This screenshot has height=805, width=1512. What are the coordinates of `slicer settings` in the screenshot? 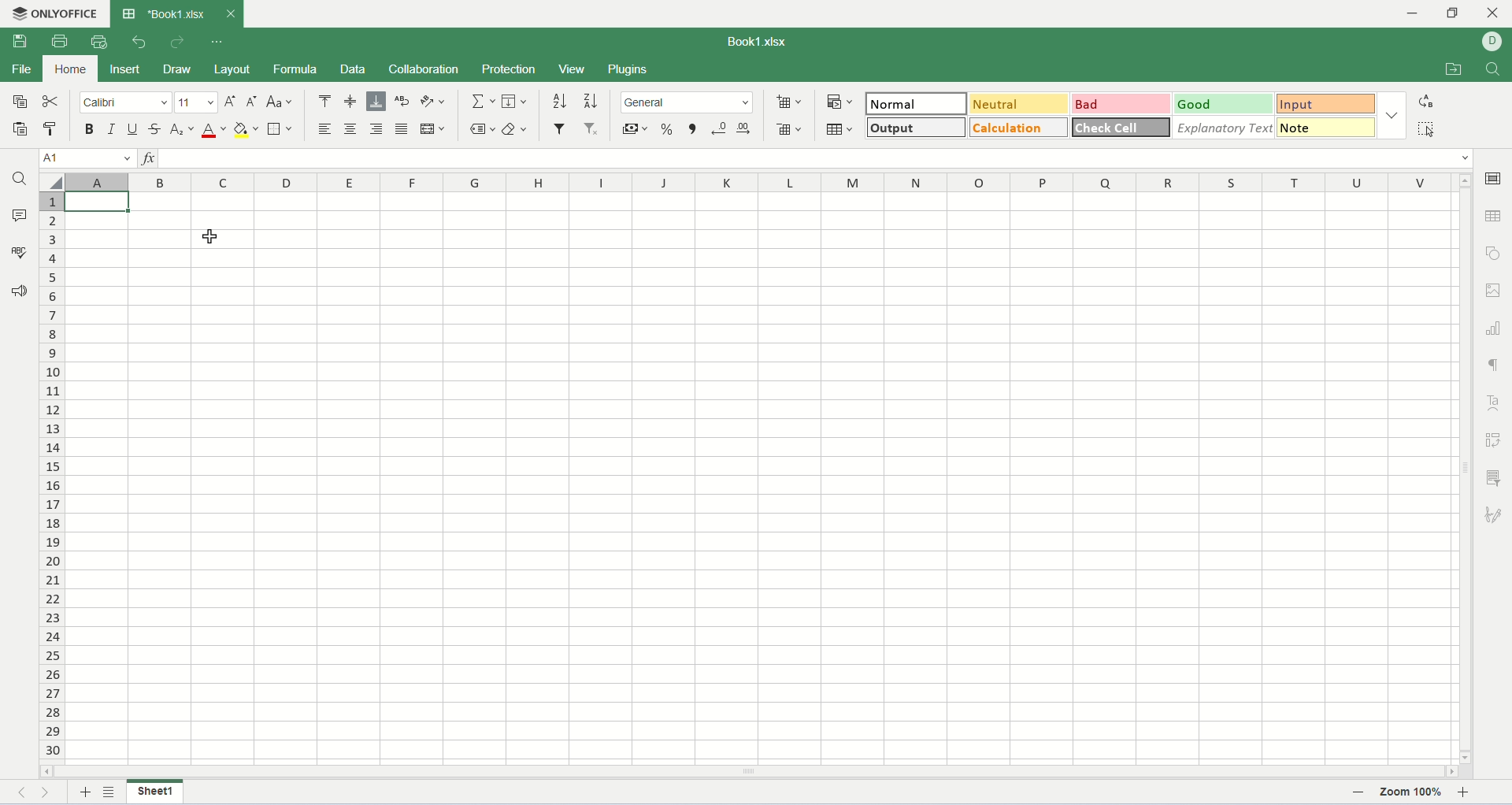 It's located at (1496, 477).